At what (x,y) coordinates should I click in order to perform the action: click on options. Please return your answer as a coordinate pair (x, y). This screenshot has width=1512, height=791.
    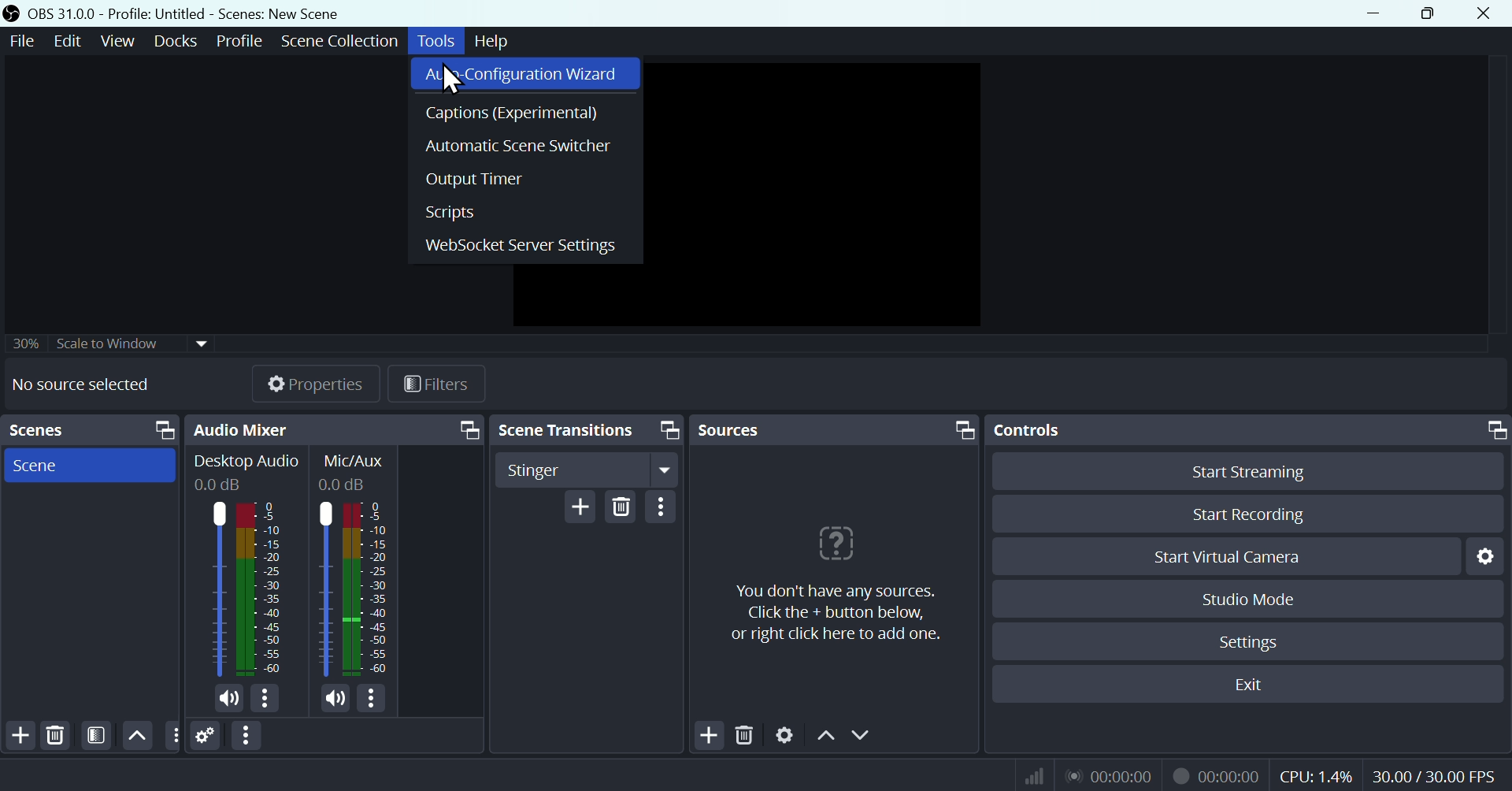
    Looking at the image, I should click on (172, 734).